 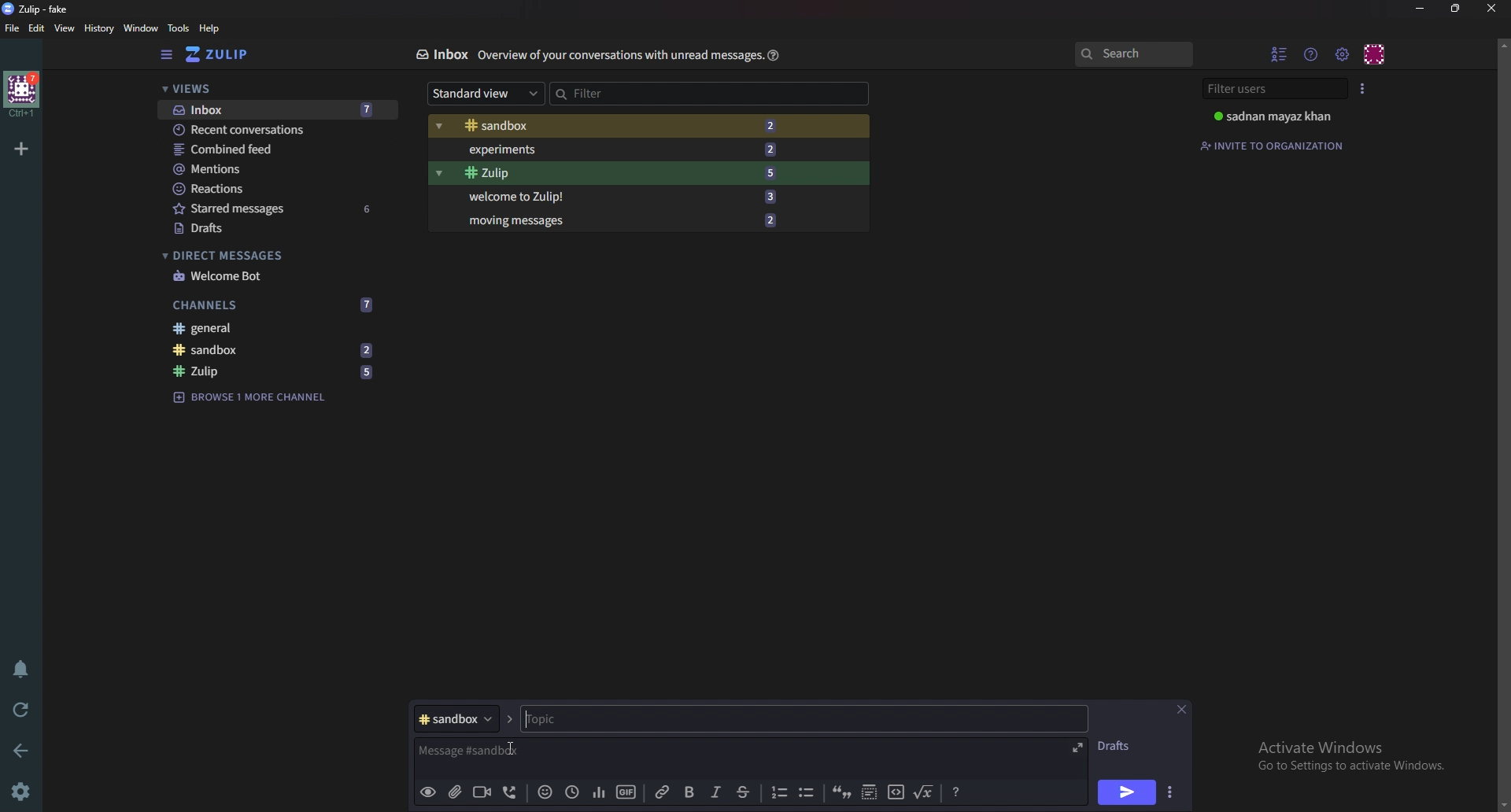 What do you see at coordinates (481, 791) in the screenshot?
I see `Video call` at bounding box center [481, 791].